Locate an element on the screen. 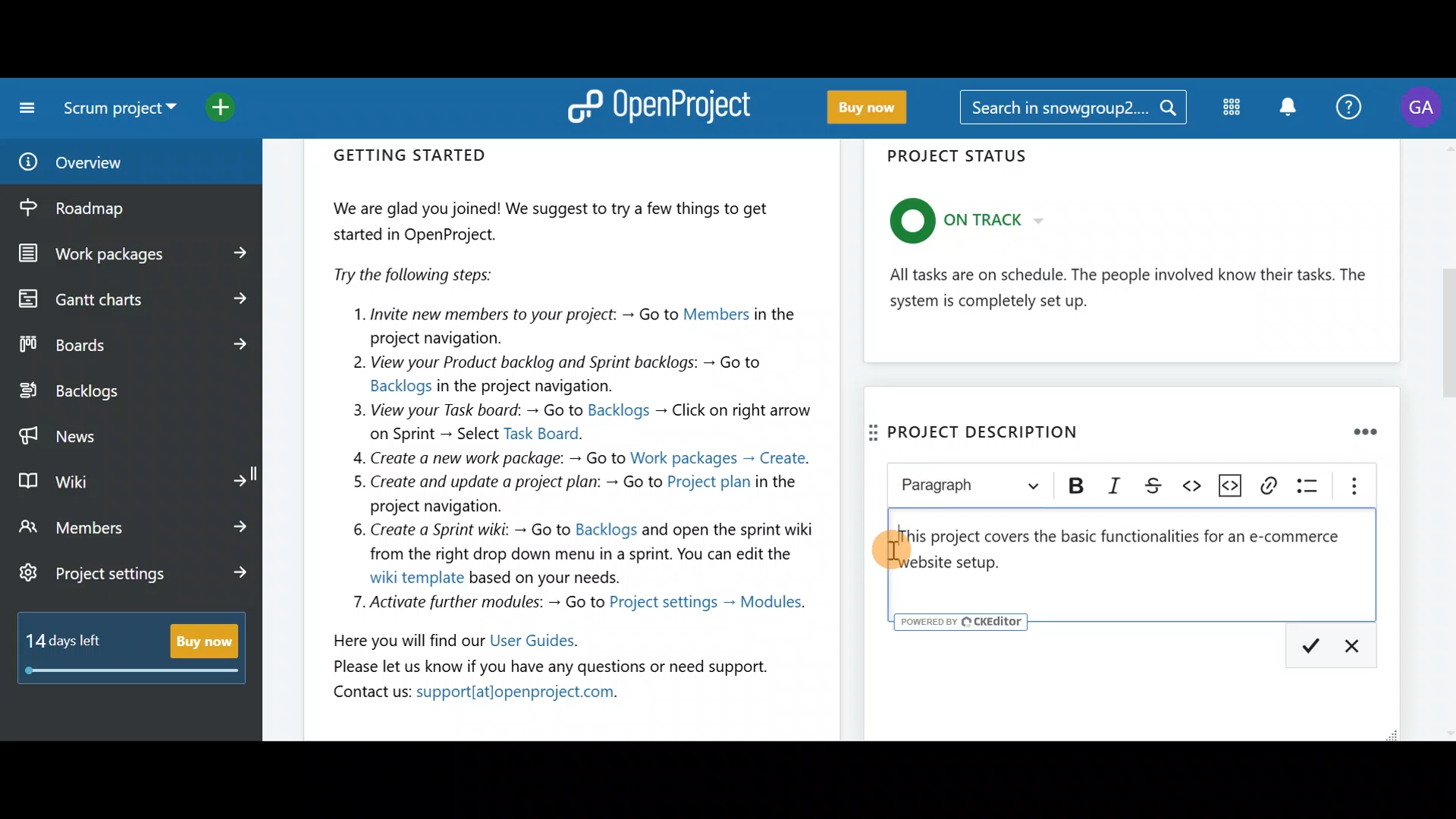 Image resolution: width=1456 pixels, height=819 pixels. Project status is located at coordinates (1134, 256).